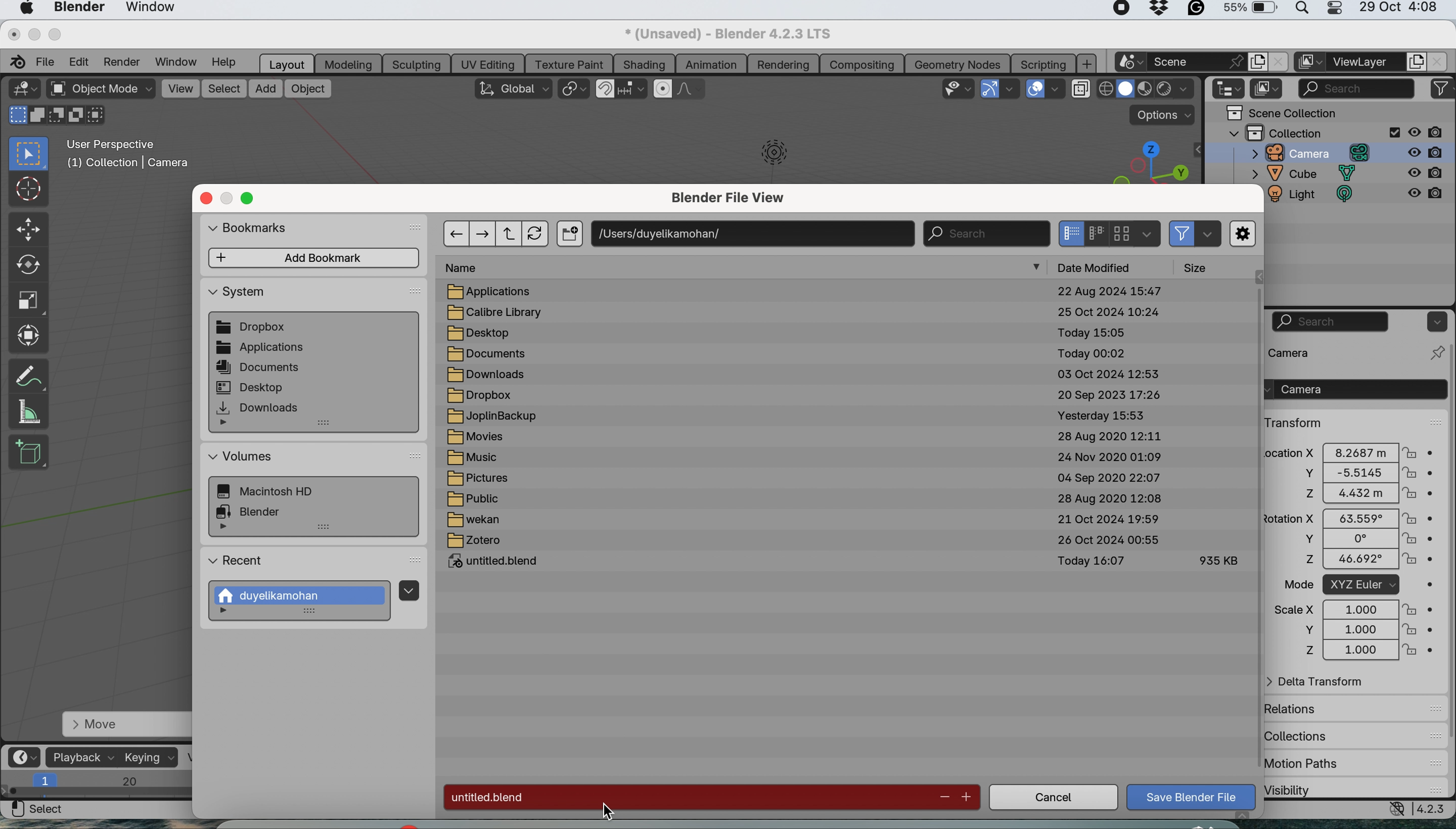  What do you see at coordinates (1198, 150) in the screenshot?
I see `collapse` at bounding box center [1198, 150].